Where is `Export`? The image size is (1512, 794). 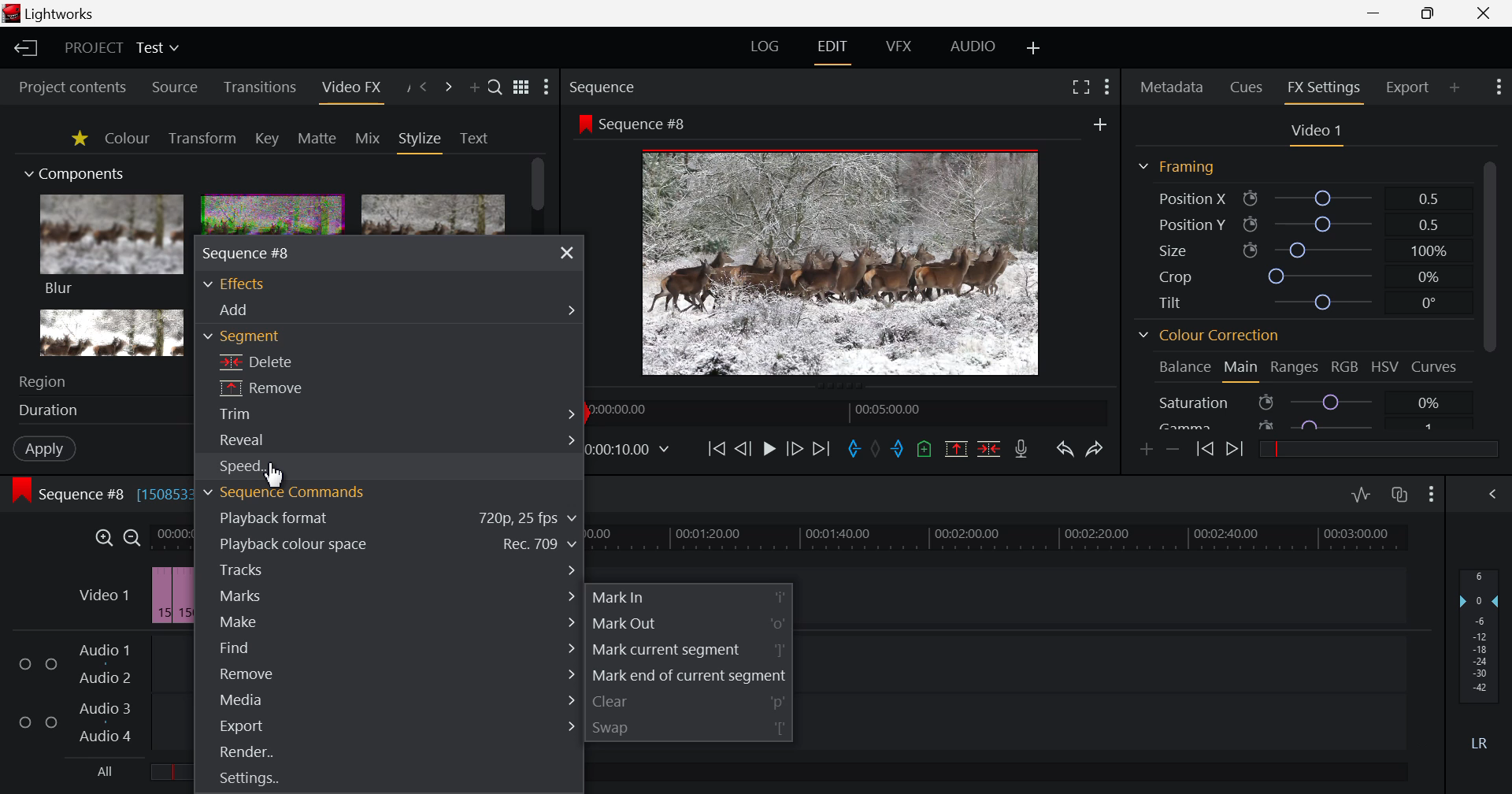 Export is located at coordinates (1409, 87).